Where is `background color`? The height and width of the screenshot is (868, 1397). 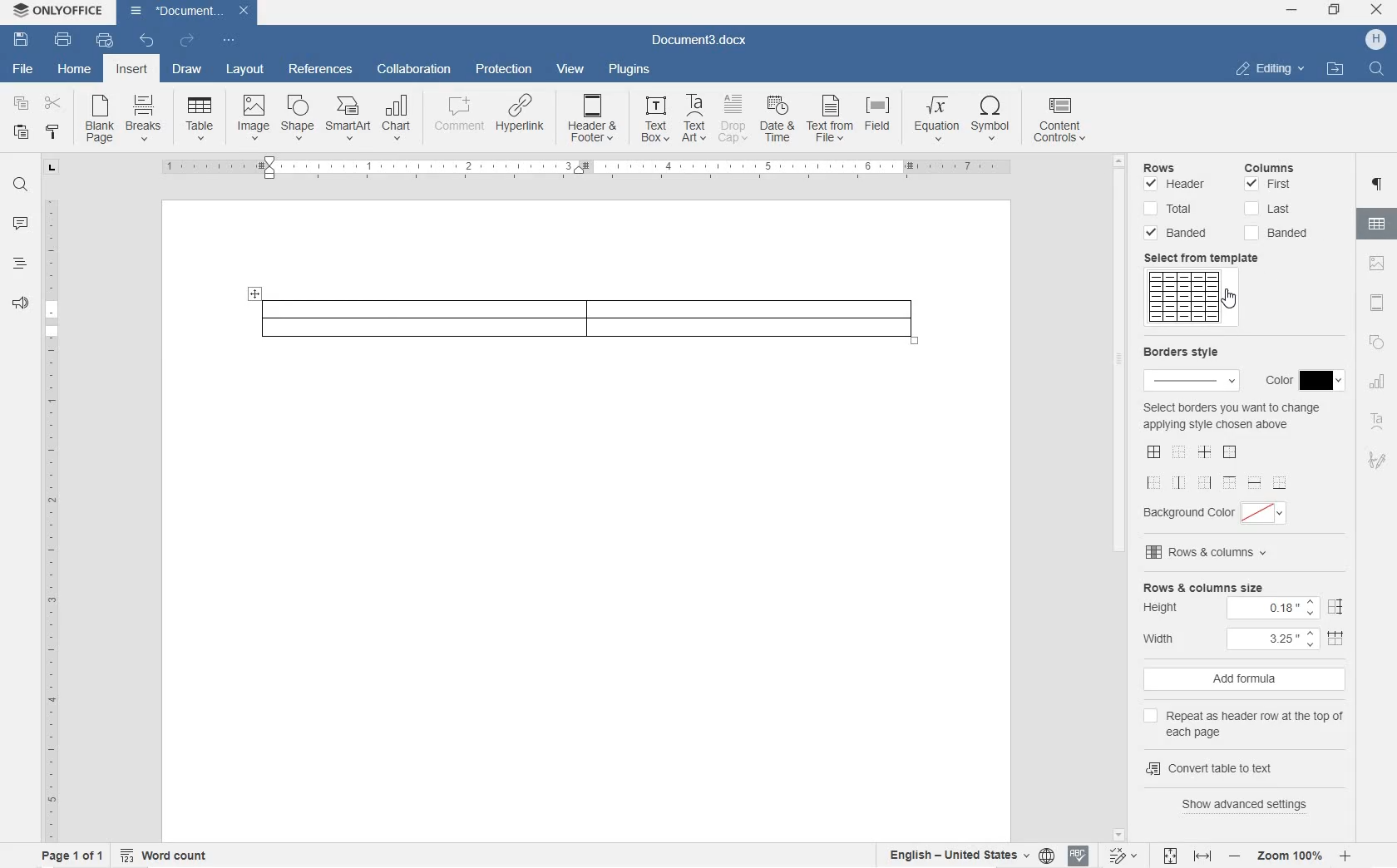
background color is located at coordinates (1222, 511).